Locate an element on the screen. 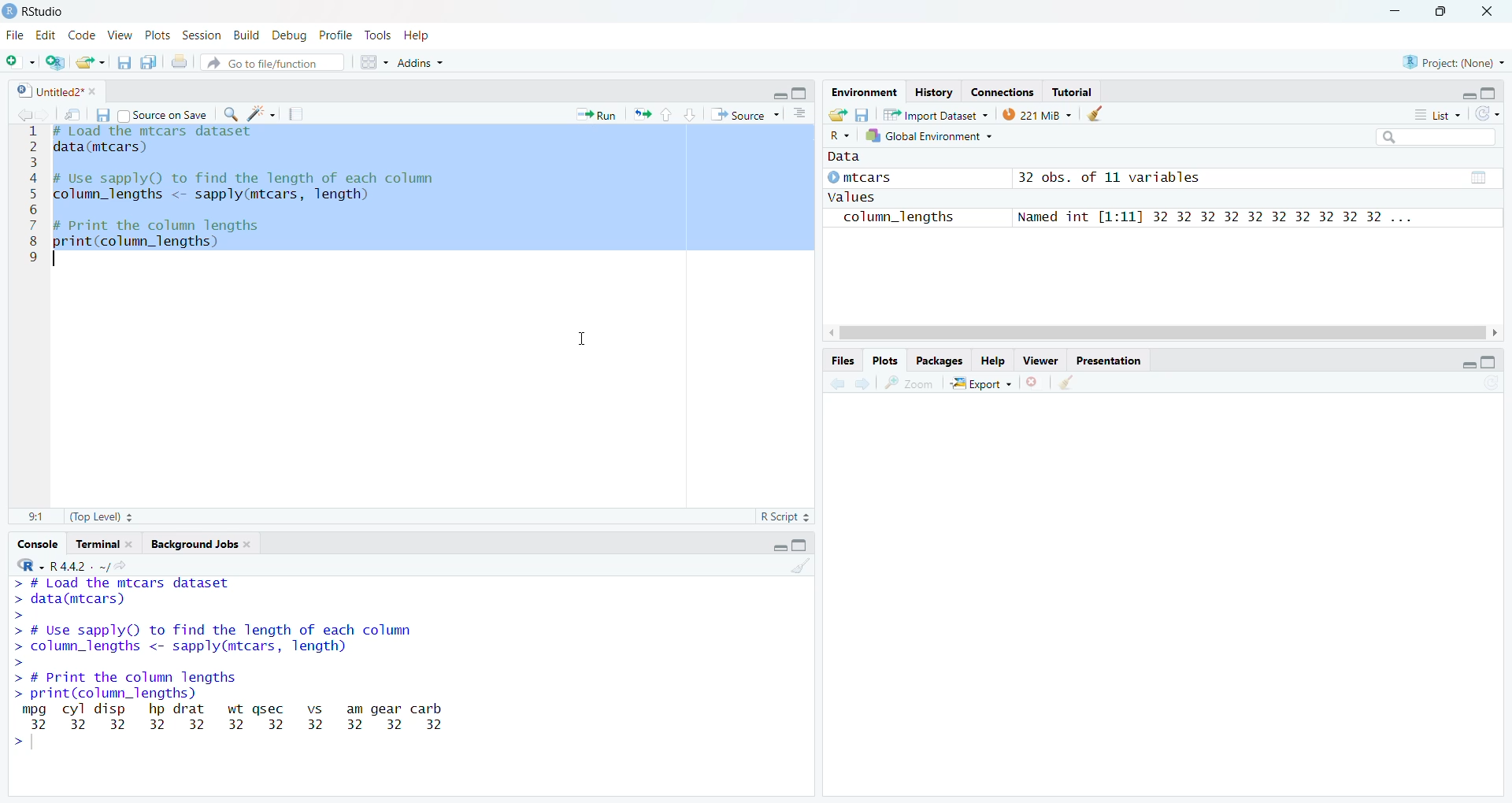 This screenshot has width=1512, height=803. Remove Selected is located at coordinates (1035, 382).